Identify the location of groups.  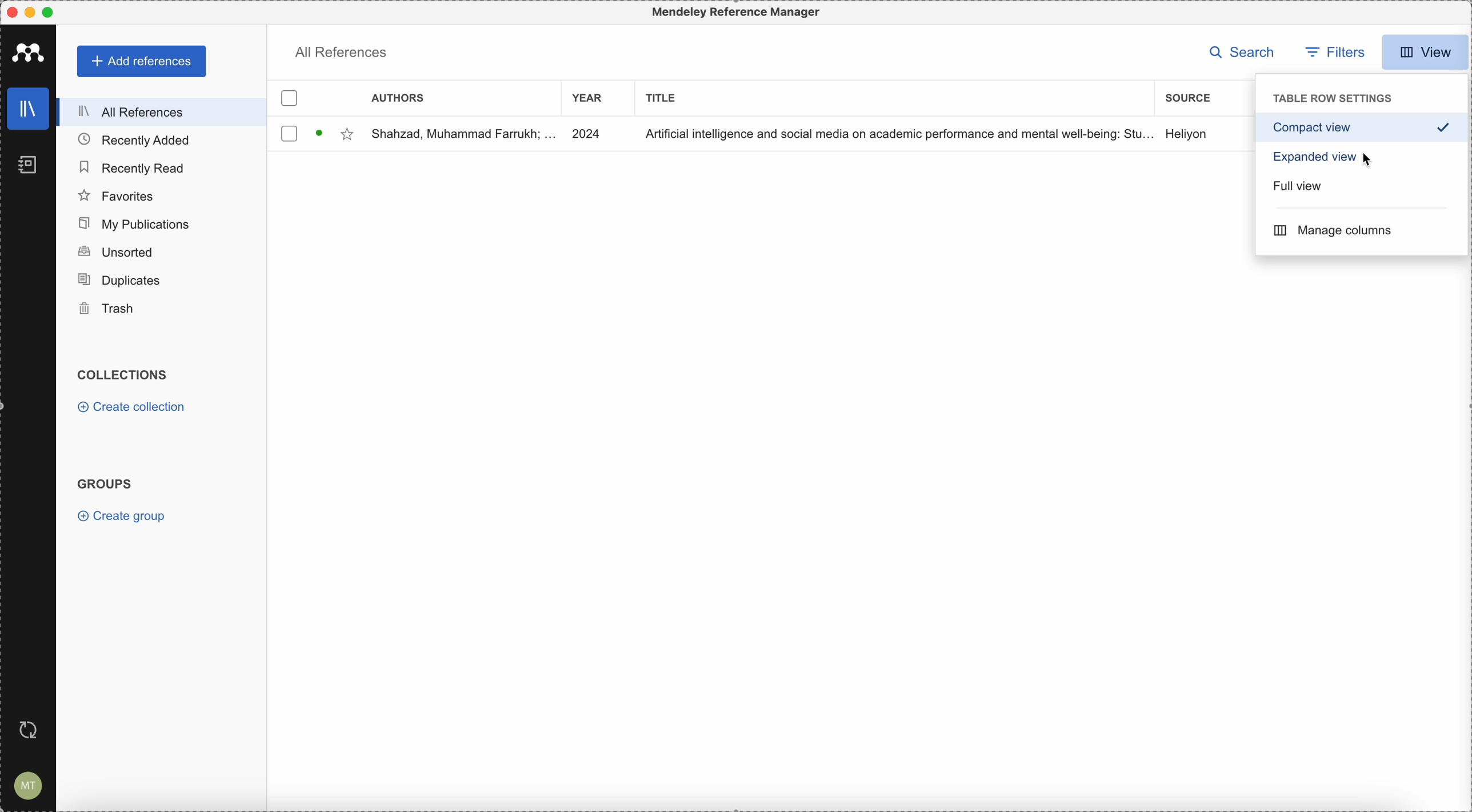
(107, 484).